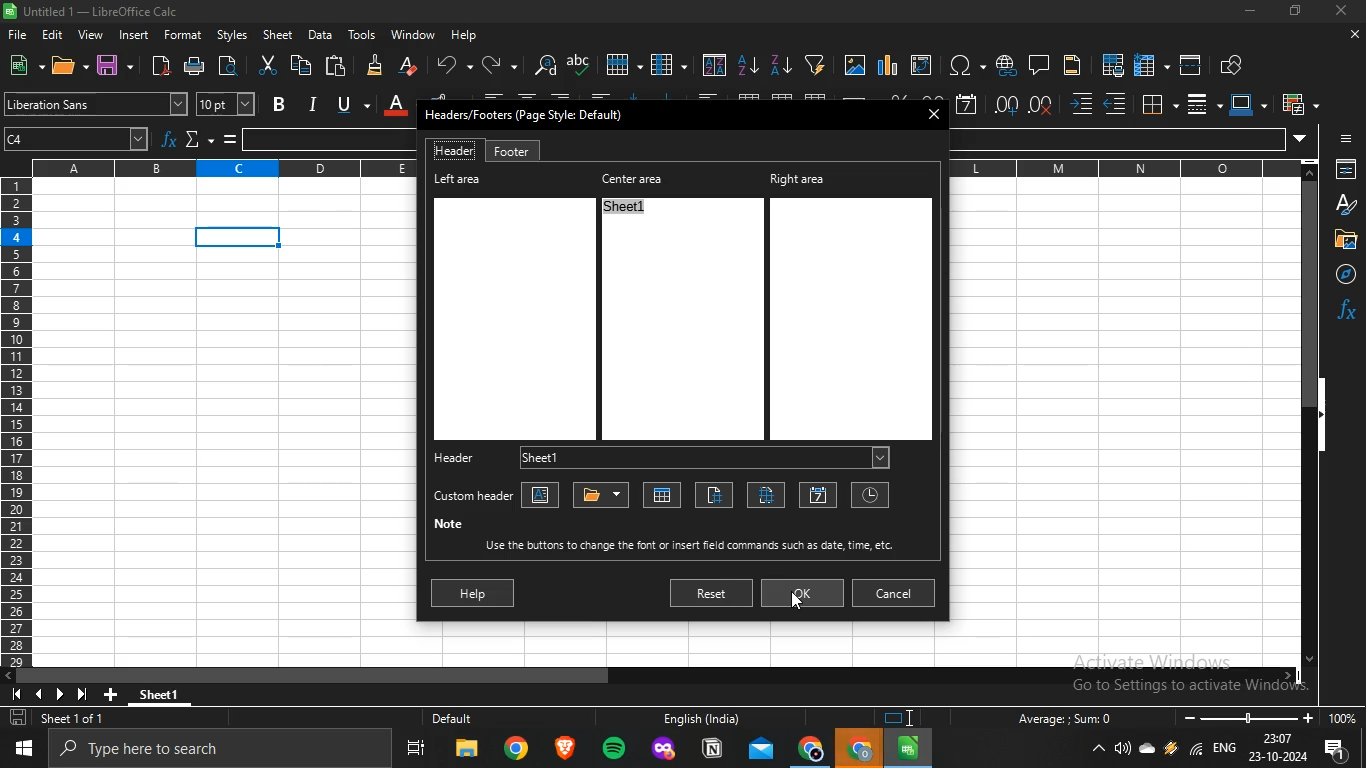 This screenshot has height=768, width=1366. I want to click on split window, so click(1191, 64).